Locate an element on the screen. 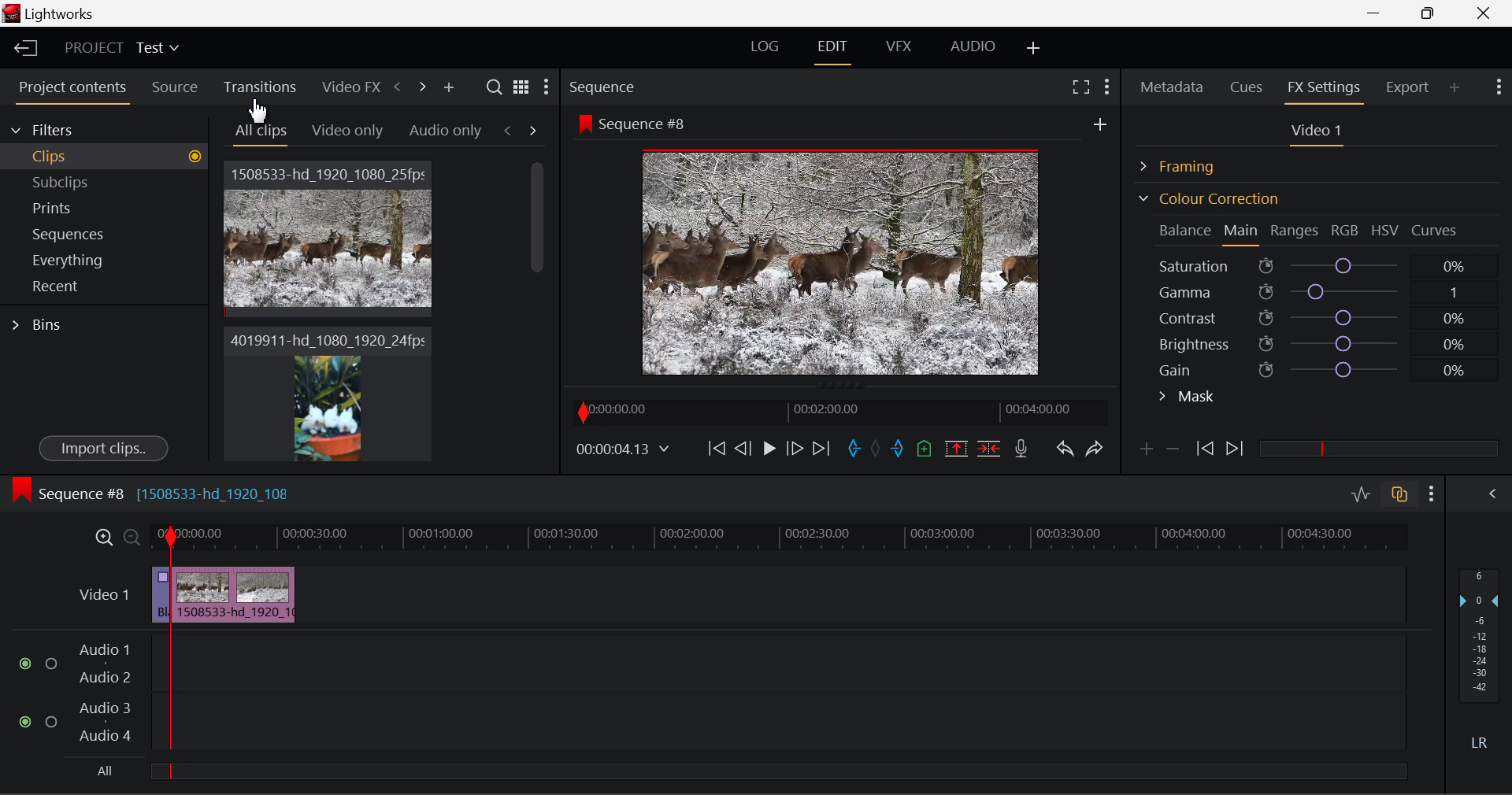 Image resolution: width=1512 pixels, height=795 pixels. Everything is located at coordinates (70, 260).